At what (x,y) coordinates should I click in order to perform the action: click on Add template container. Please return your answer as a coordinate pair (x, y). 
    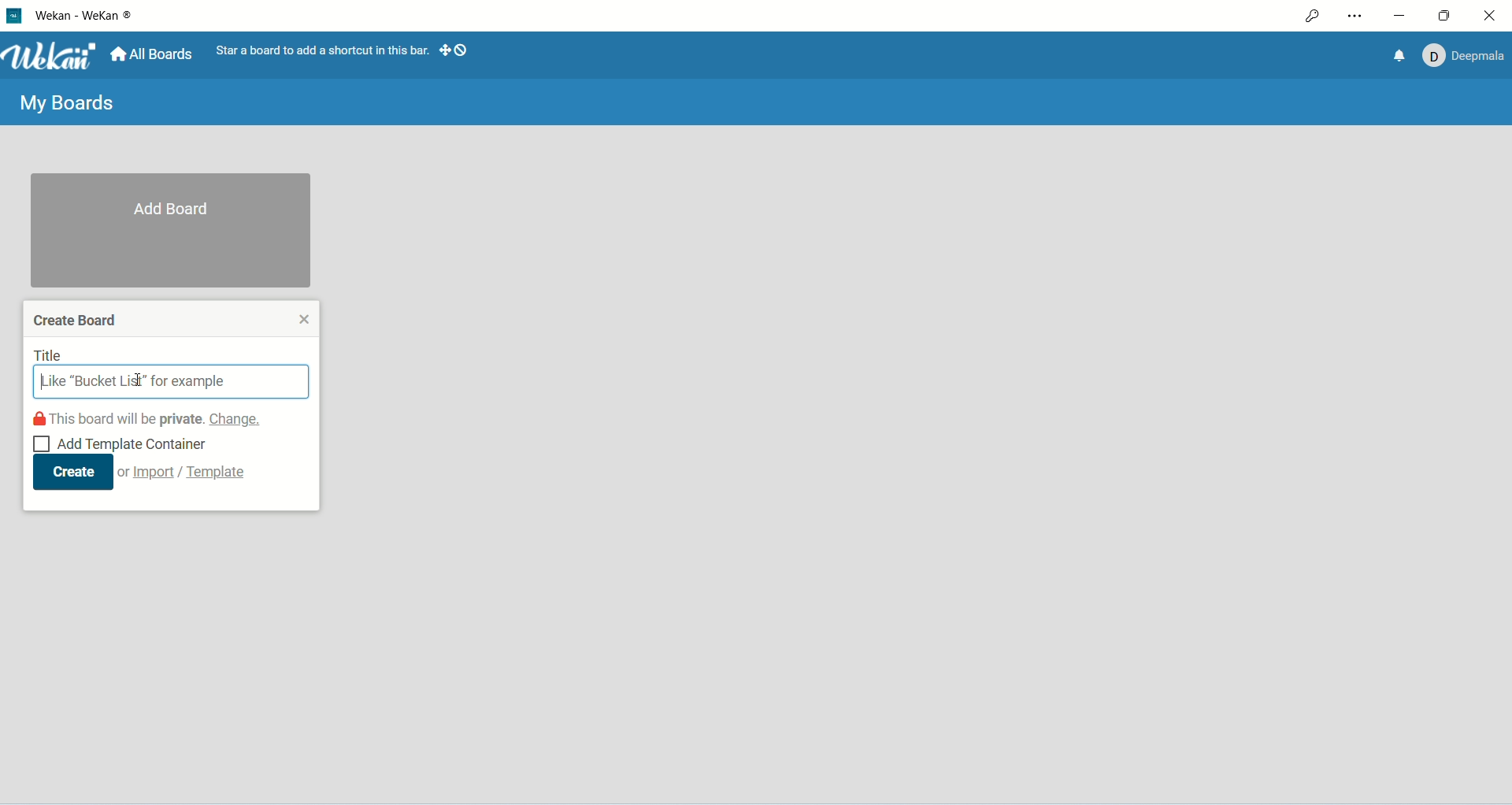
    Looking at the image, I should click on (125, 444).